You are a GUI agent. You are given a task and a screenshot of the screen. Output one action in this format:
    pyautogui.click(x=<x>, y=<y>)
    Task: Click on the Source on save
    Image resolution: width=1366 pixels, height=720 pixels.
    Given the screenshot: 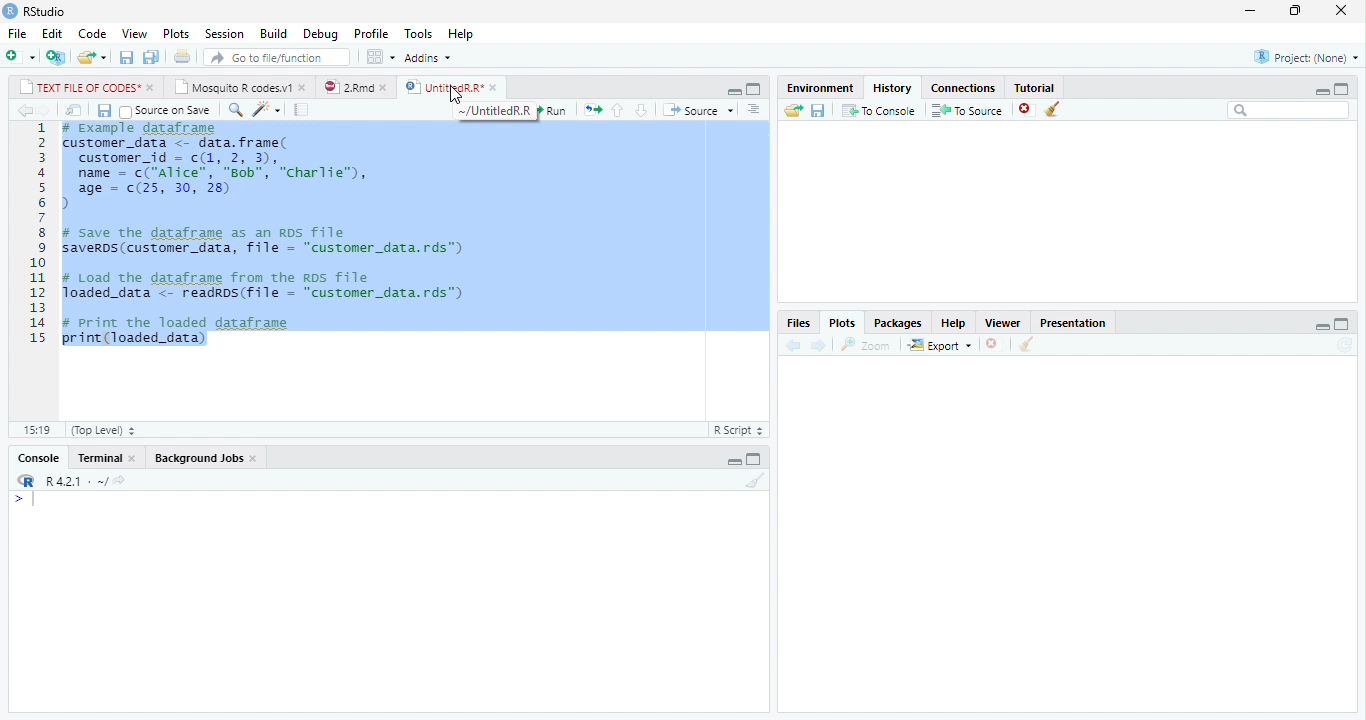 What is the action you would take?
    pyautogui.click(x=167, y=111)
    